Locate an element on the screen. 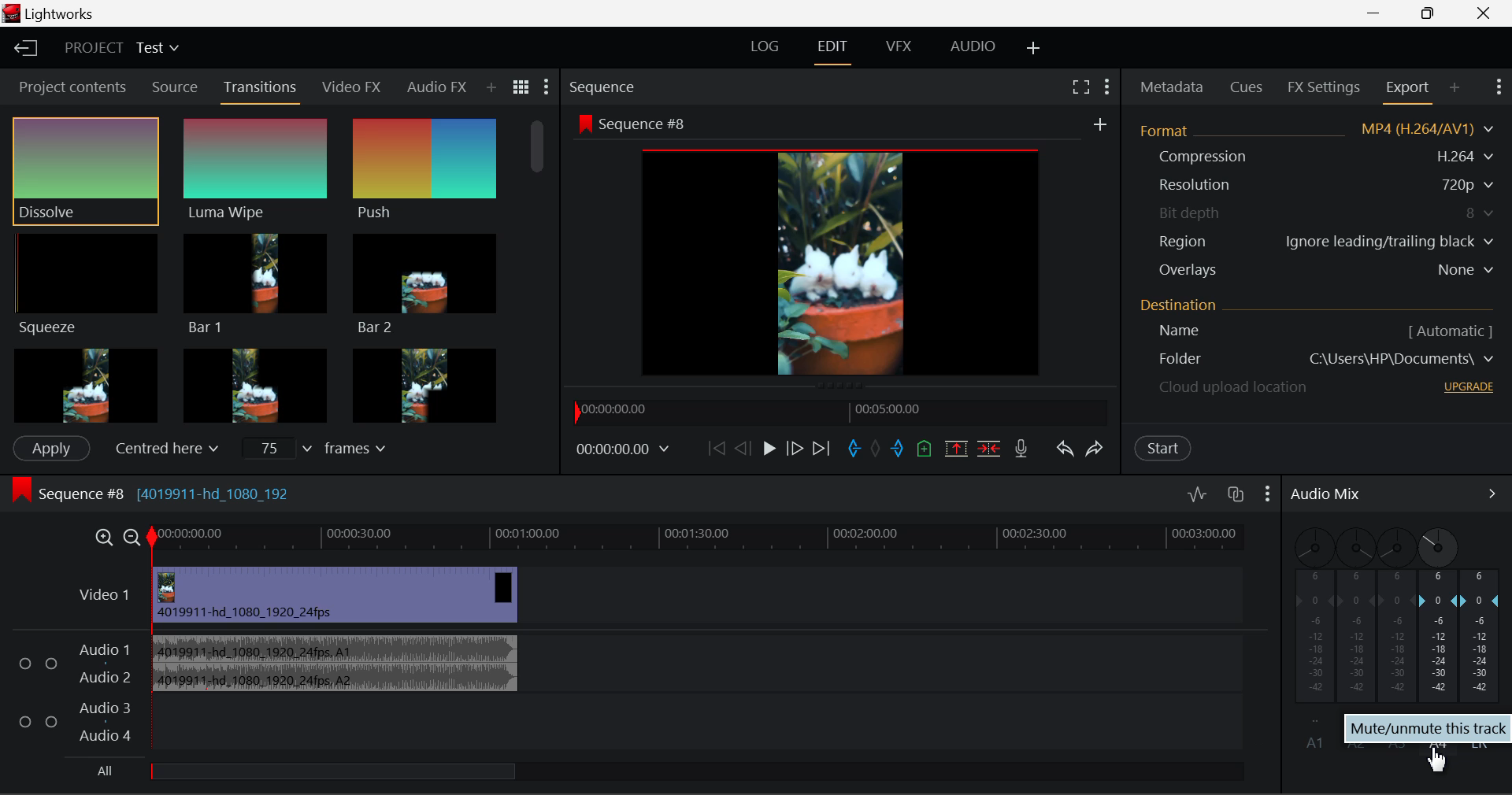  Box 2 is located at coordinates (254, 384).